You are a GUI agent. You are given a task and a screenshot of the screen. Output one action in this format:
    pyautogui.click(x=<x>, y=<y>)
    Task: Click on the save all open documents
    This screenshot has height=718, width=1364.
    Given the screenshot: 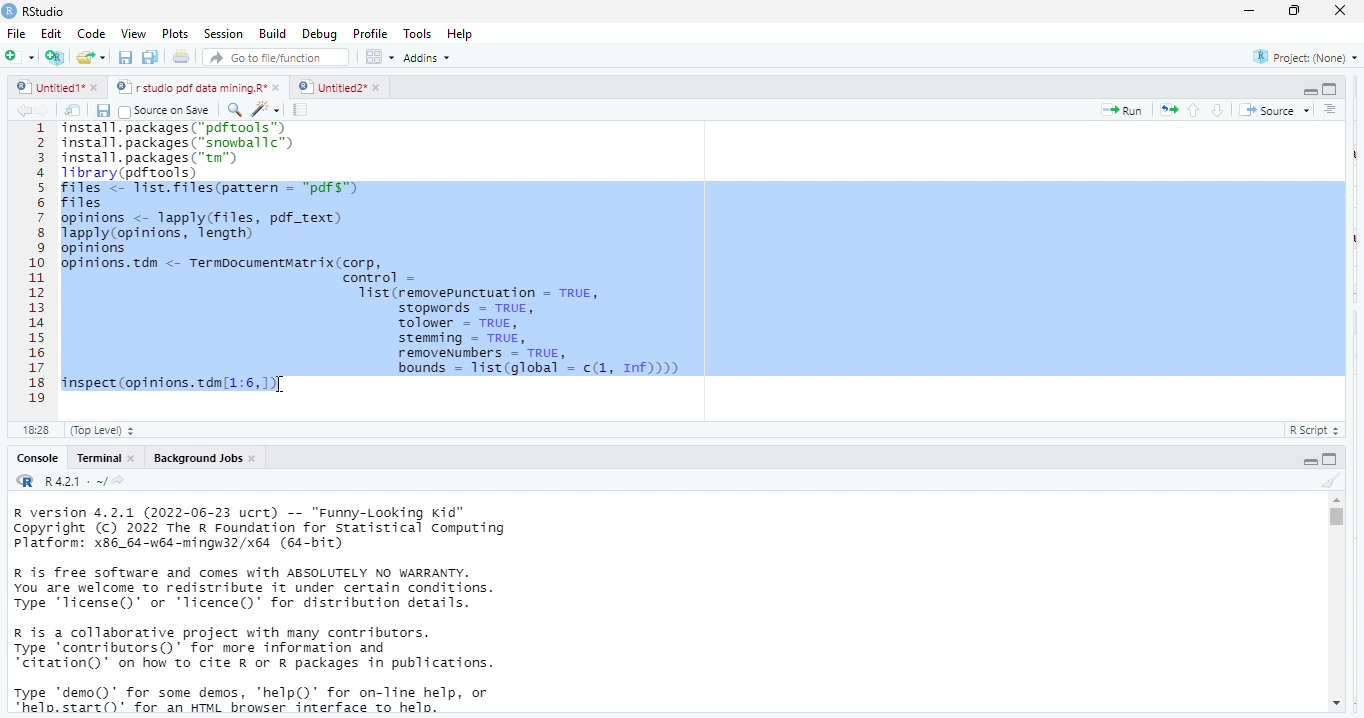 What is the action you would take?
    pyautogui.click(x=151, y=58)
    